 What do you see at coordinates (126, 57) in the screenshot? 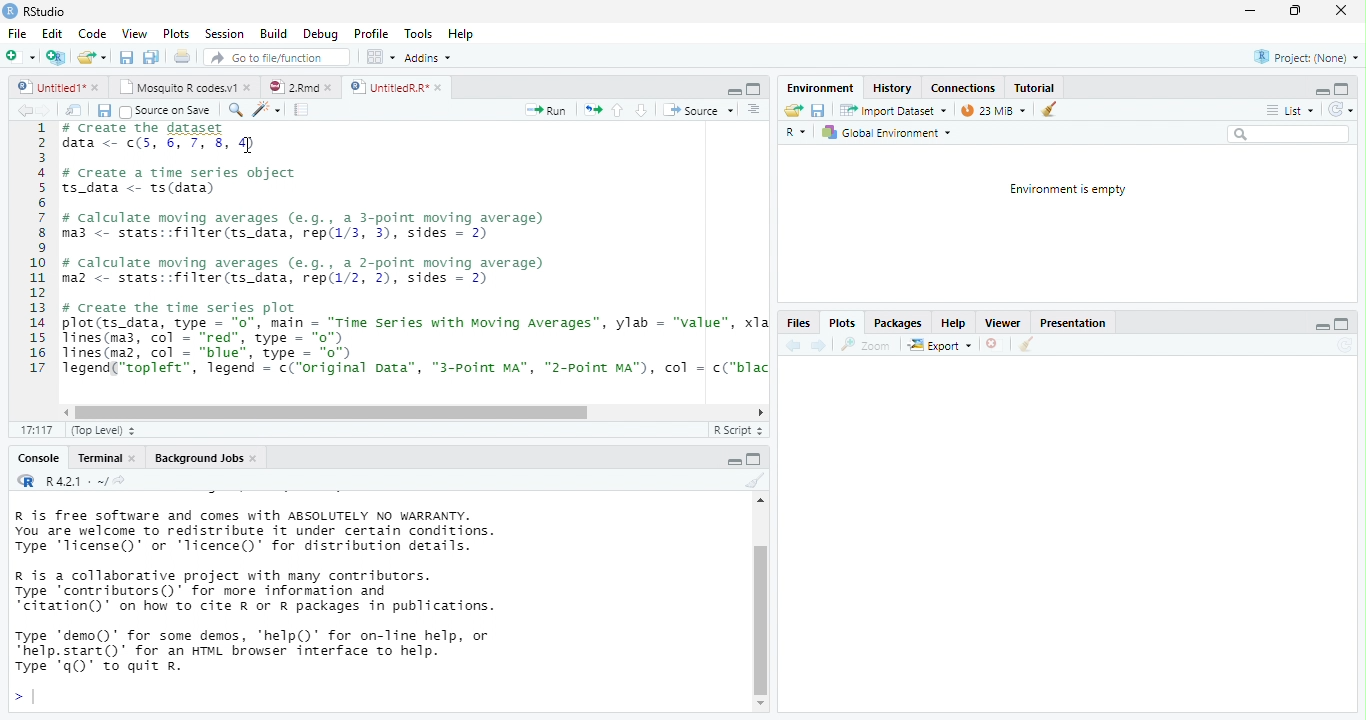
I see `save all open document` at bounding box center [126, 57].